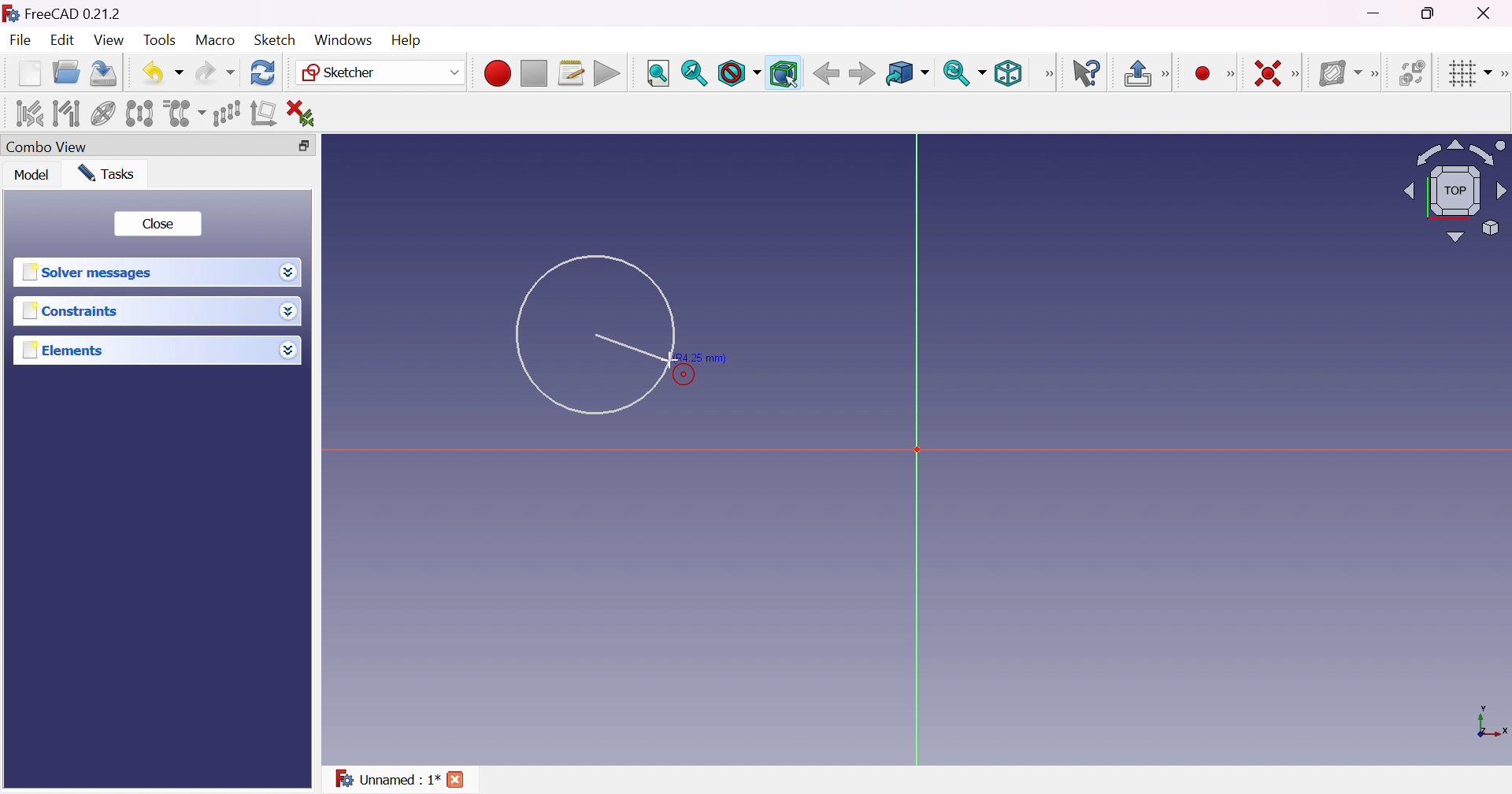 The width and height of the screenshot is (1512, 794). Describe the element at coordinates (1490, 724) in the screenshot. I see `x, y axis` at that location.